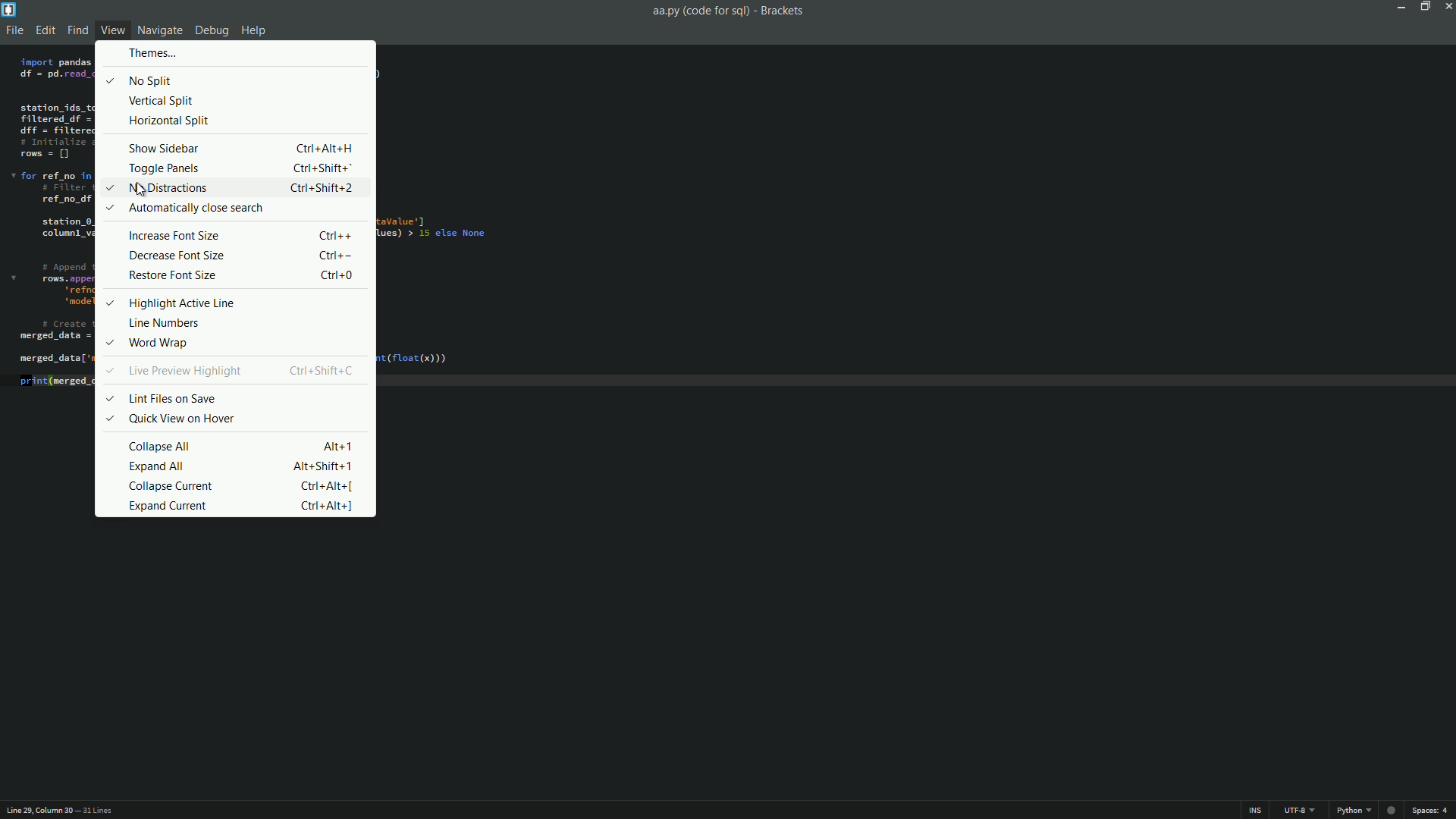 The height and width of the screenshot is (819, 1456). I want to click on Word wrap , so click(170, 341).